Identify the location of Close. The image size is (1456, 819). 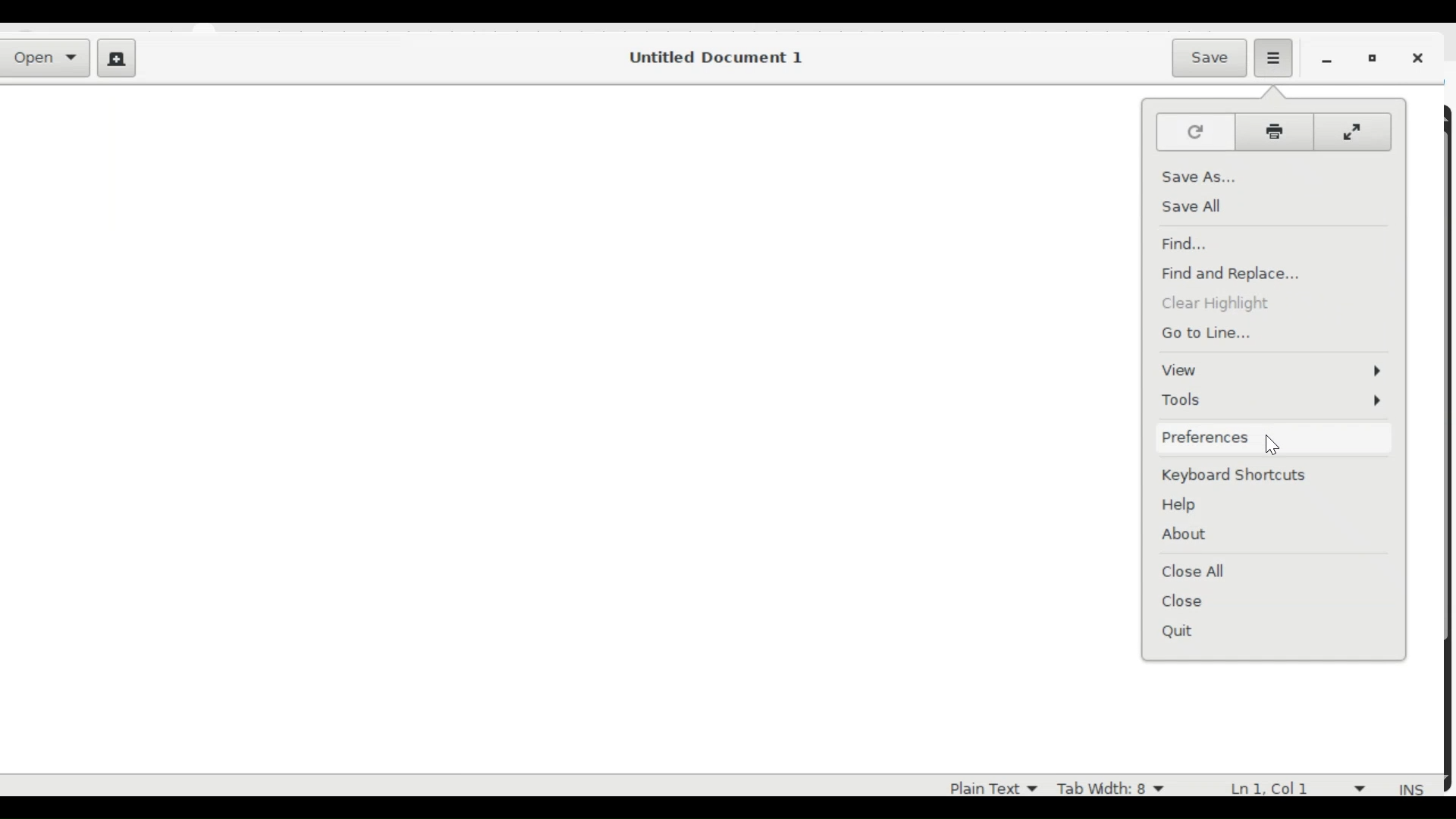
(1197, 601).